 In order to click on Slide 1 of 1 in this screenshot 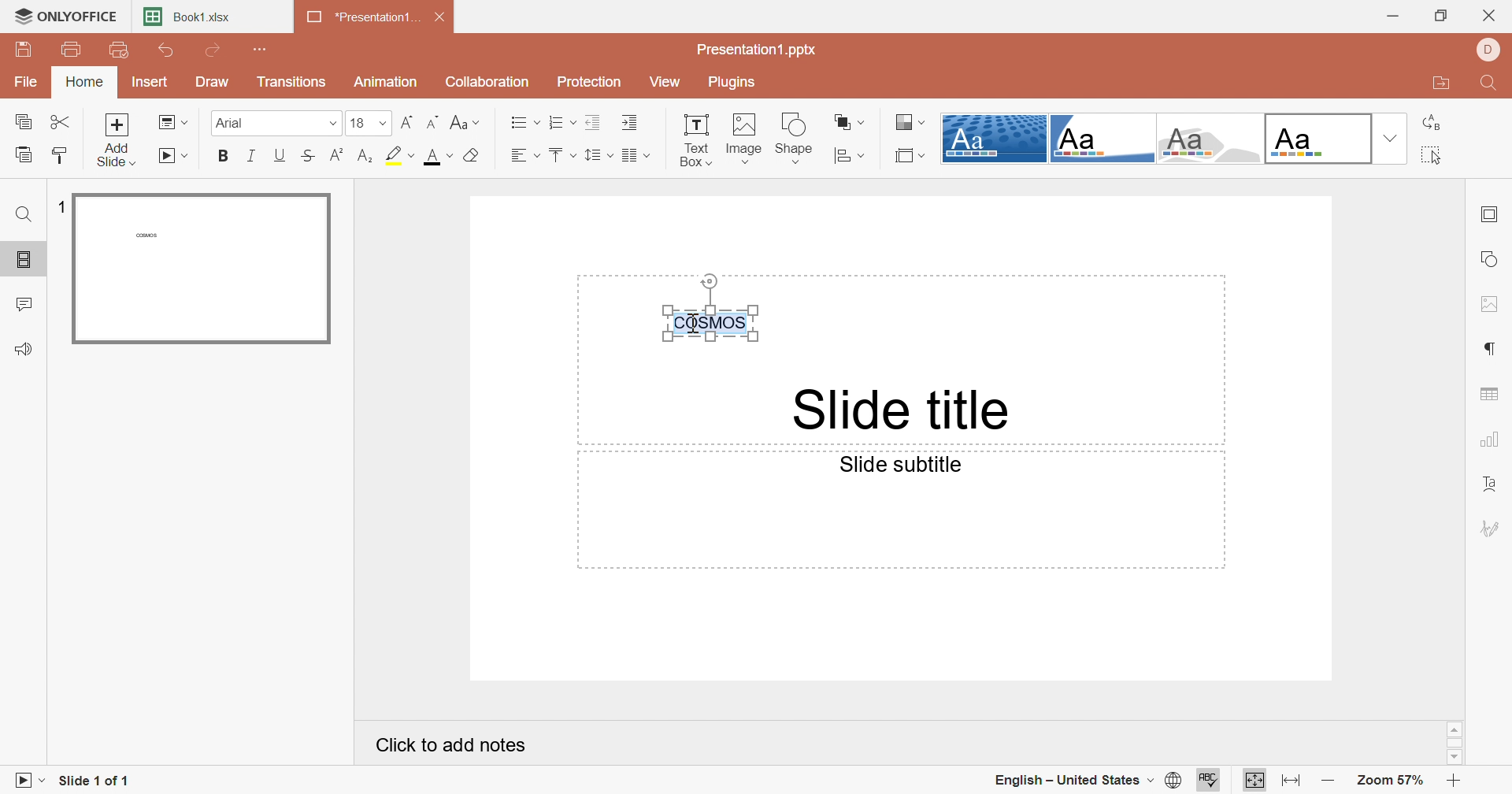, I will do `click(100, 780)`.